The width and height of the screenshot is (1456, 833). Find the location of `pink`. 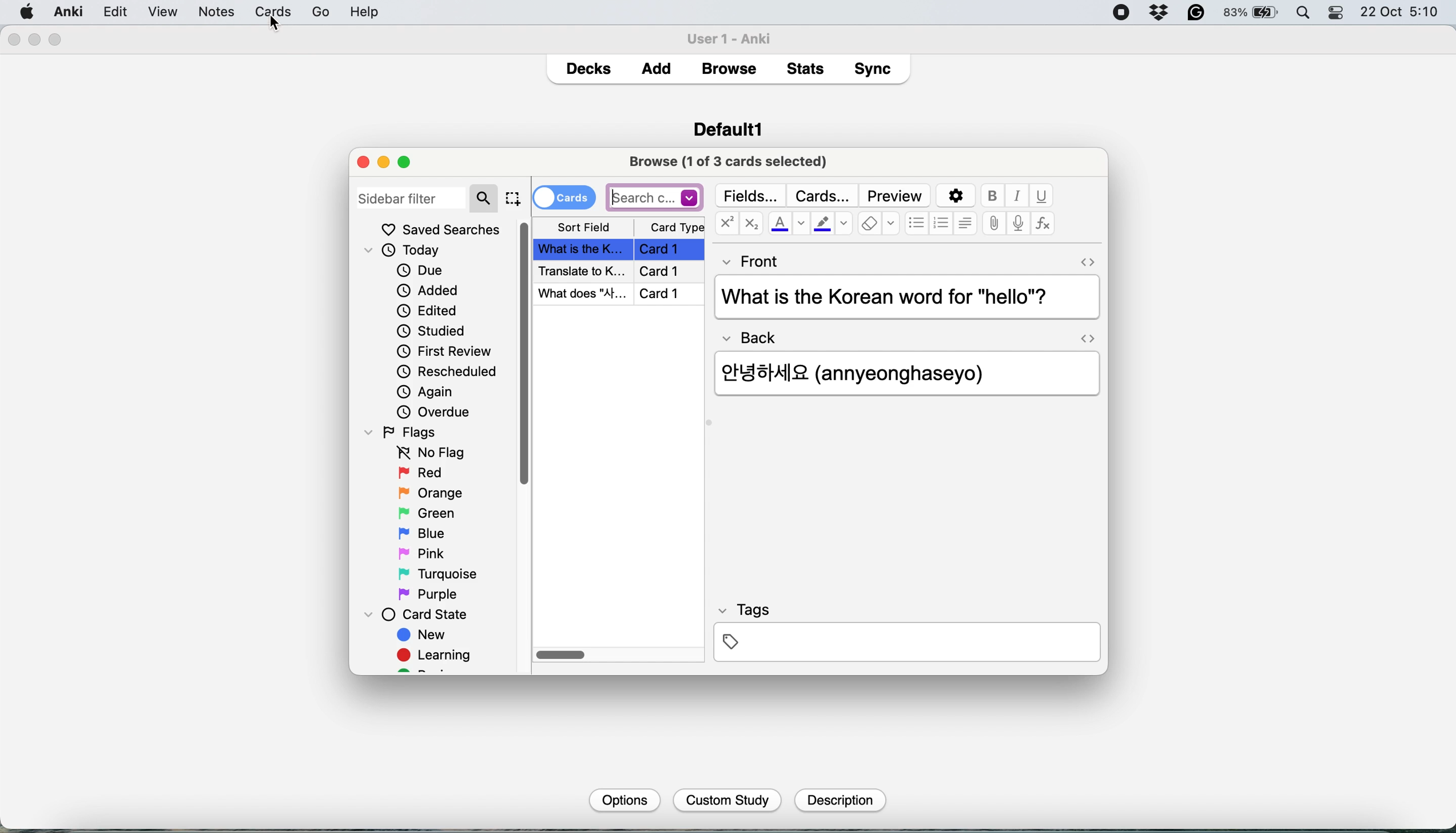

pink is located at coordinates (424, 552).